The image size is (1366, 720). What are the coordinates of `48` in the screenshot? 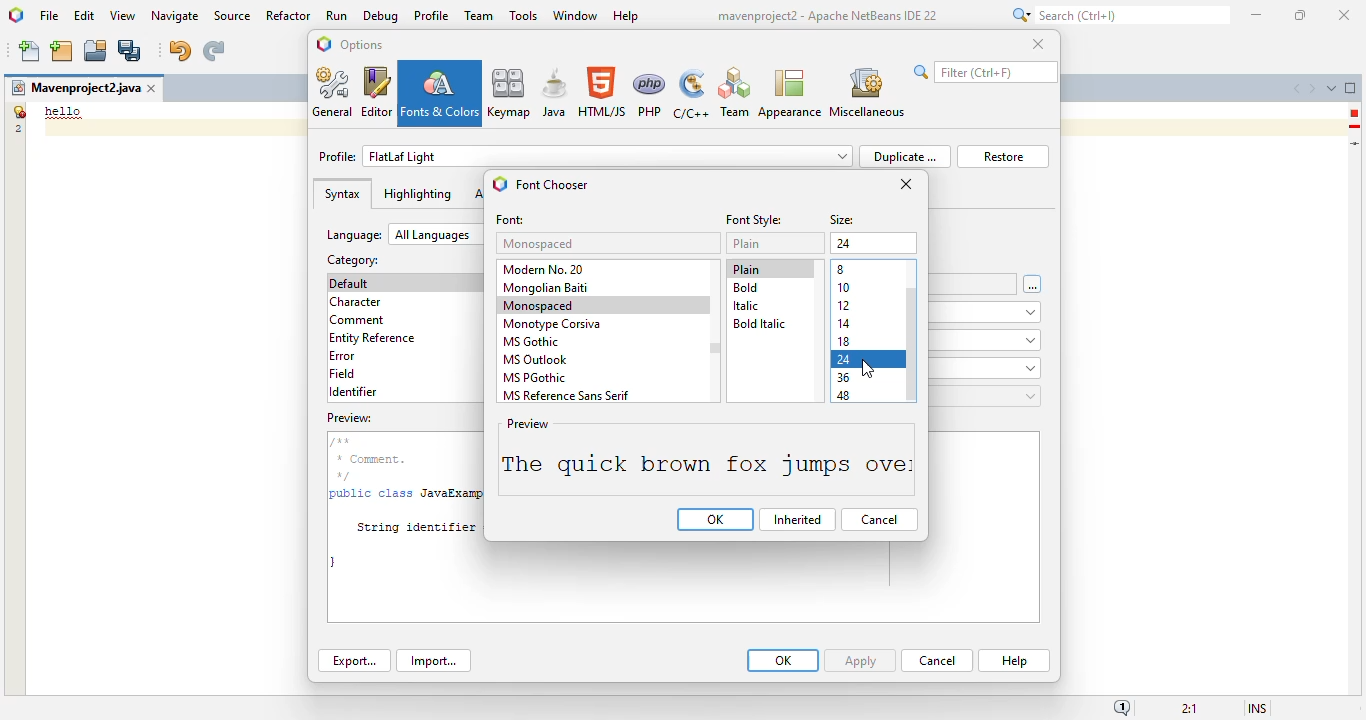 It's located at (844, 397).